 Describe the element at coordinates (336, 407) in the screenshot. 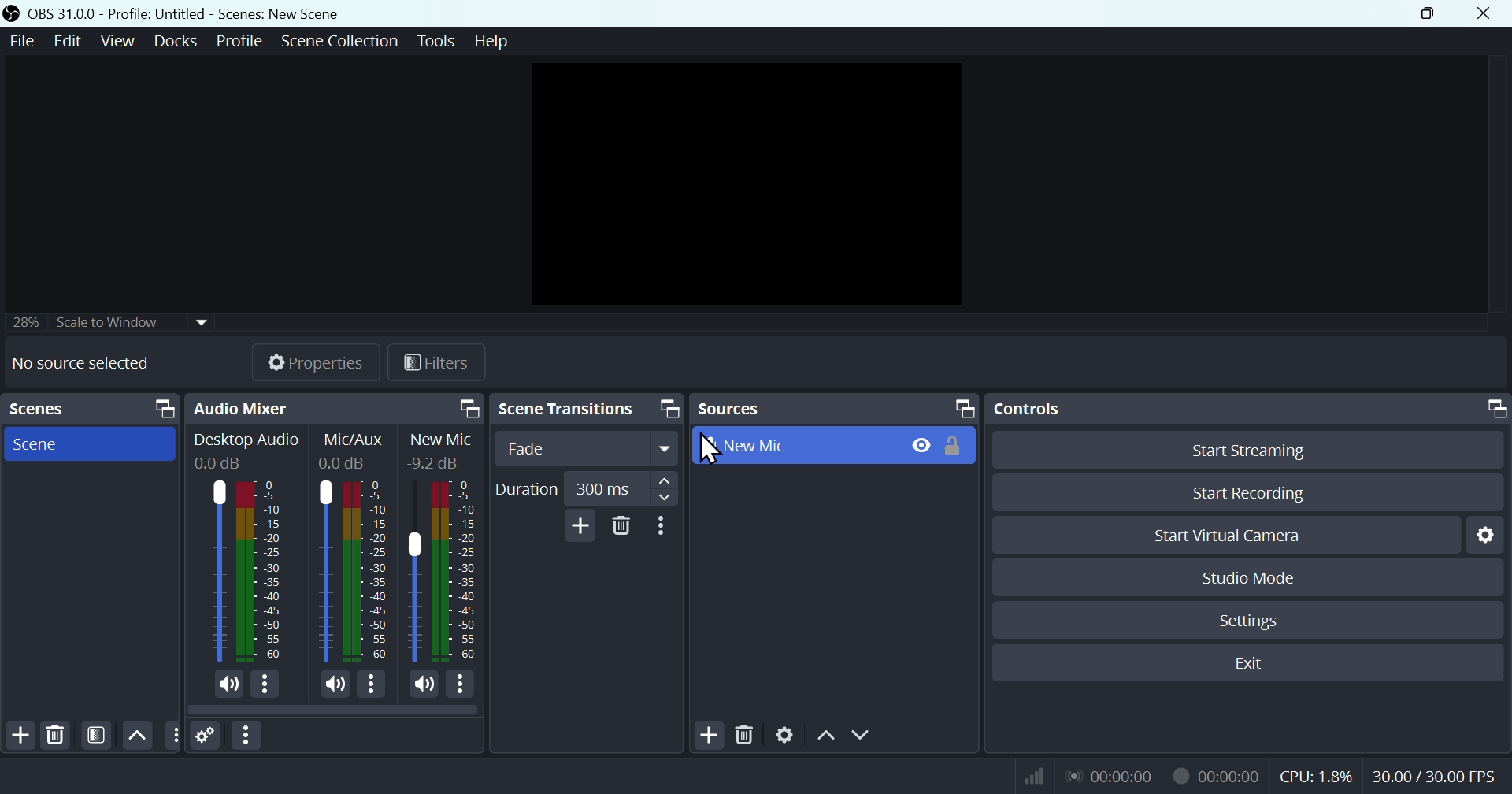

I see `Audio mixer` at that location.